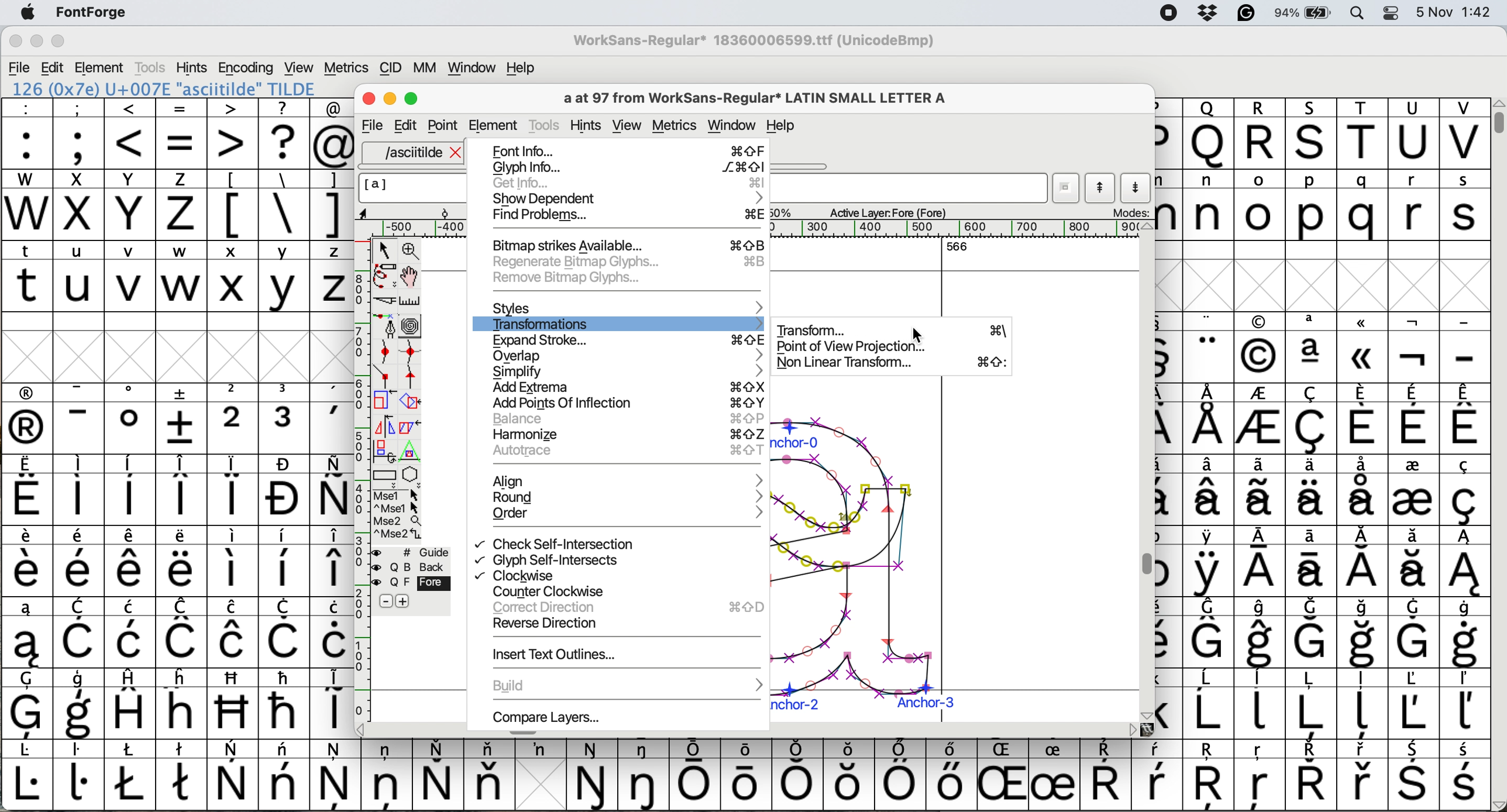  I want to click on font info, so click(628, 150).